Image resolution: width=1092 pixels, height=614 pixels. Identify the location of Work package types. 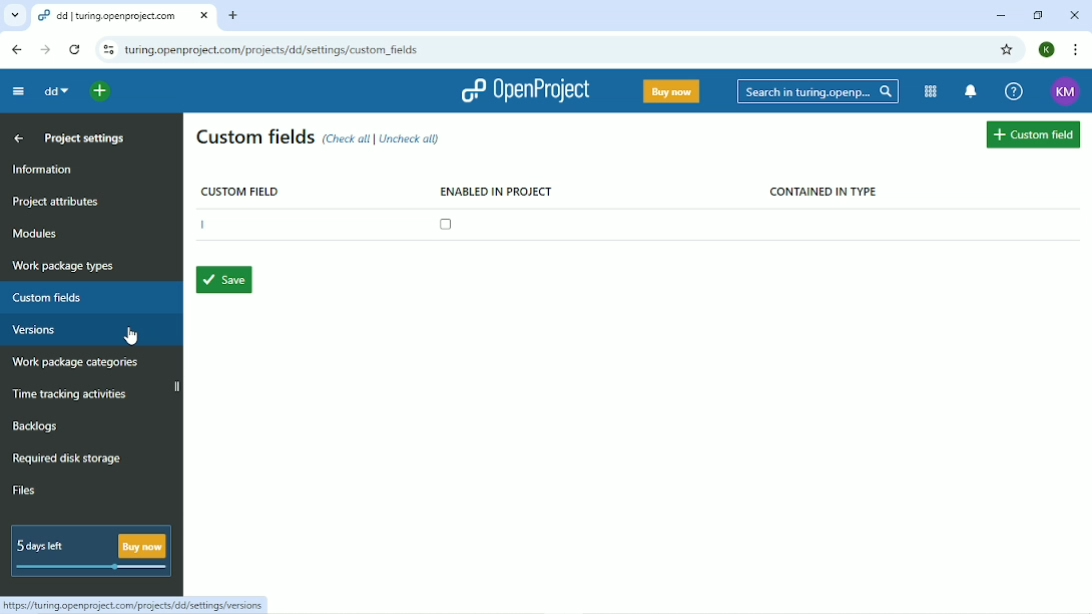
(63, 266).